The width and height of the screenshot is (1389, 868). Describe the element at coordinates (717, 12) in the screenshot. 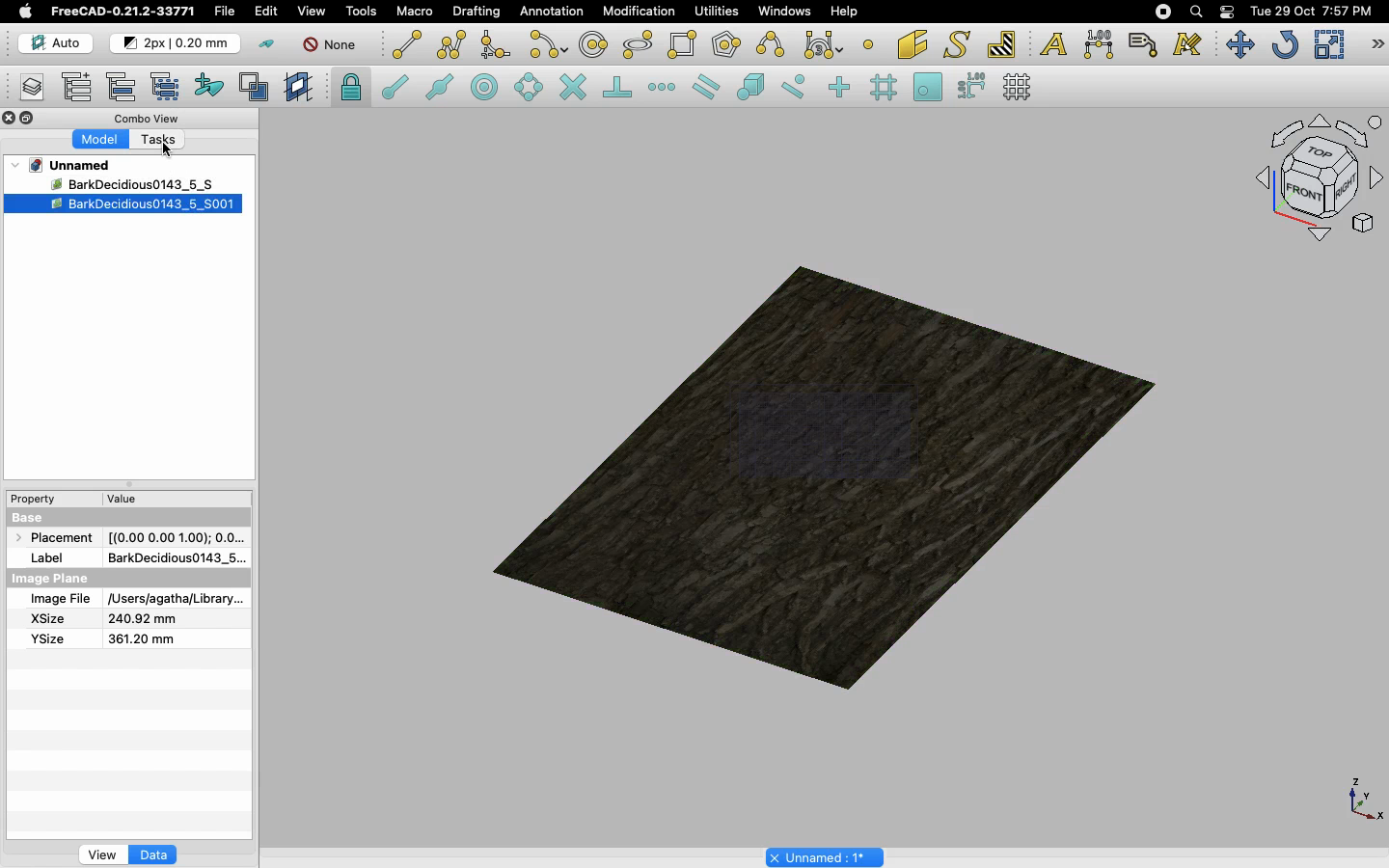

I see `Utilities` at that location.